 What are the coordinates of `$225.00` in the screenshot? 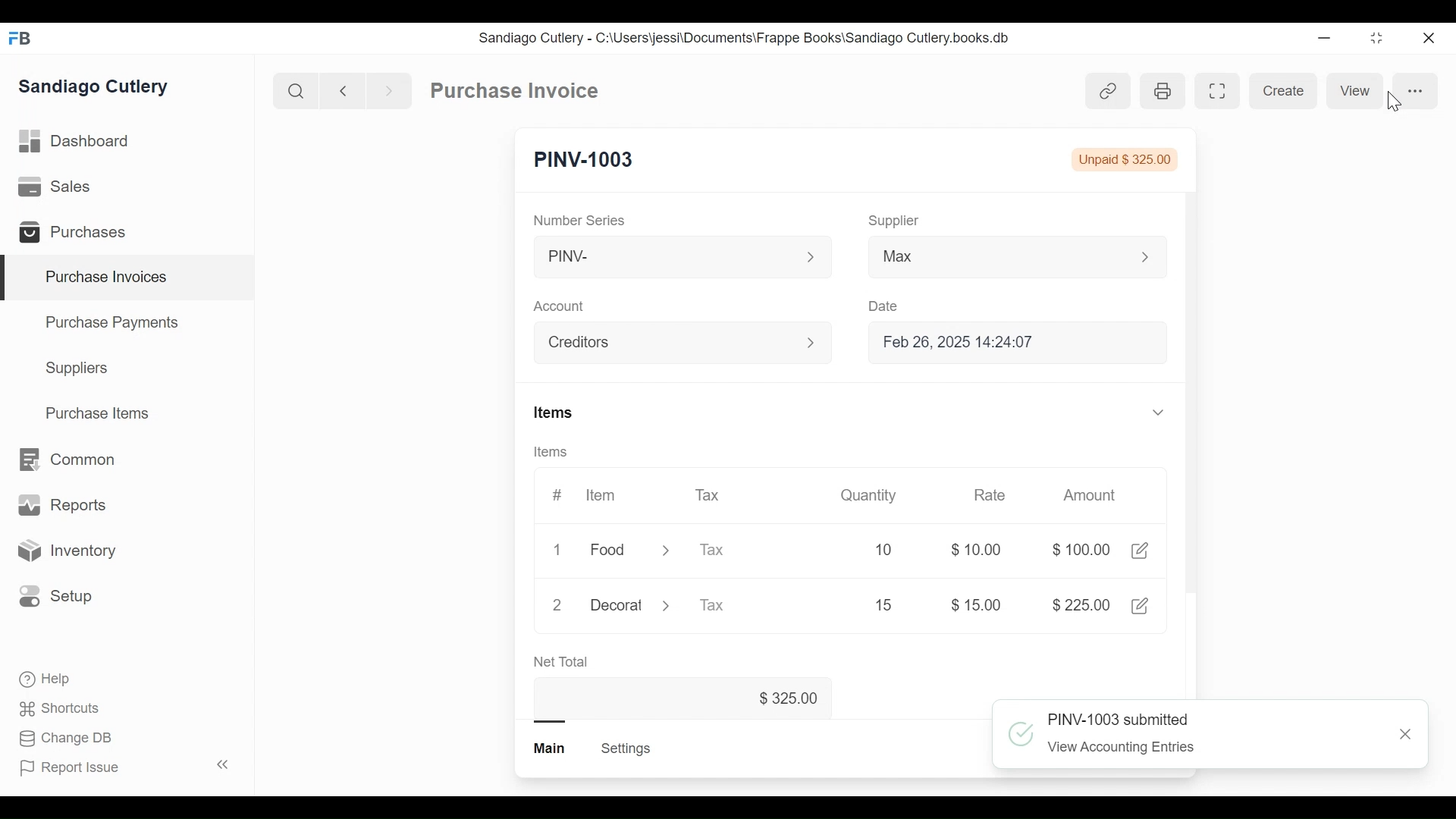 It's located at (1081, 606).